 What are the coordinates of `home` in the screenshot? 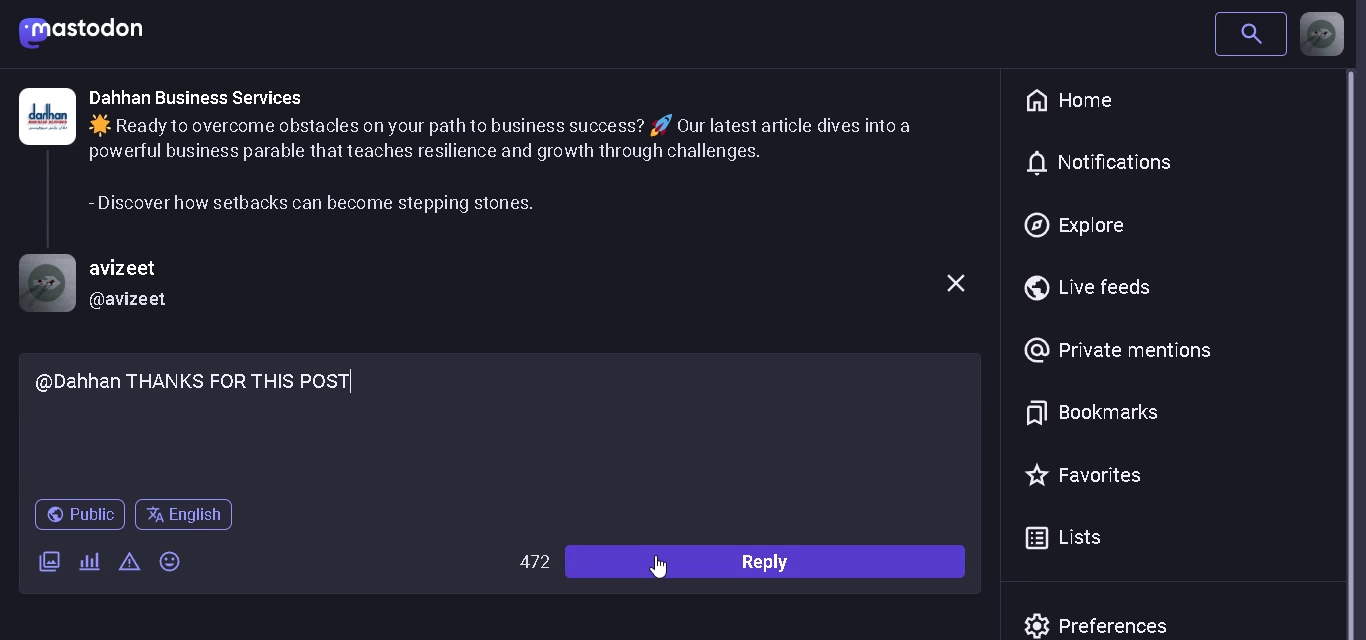 It's located at (1076, 101).